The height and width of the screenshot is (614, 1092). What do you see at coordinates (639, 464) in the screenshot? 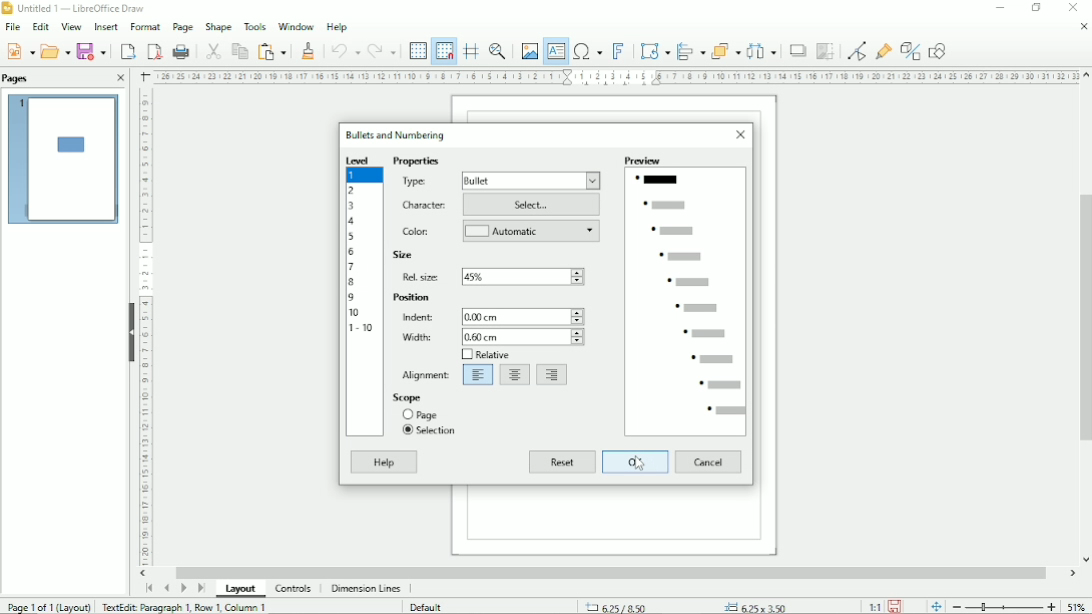
I see `Cursor` at bounding box center [639, 464].